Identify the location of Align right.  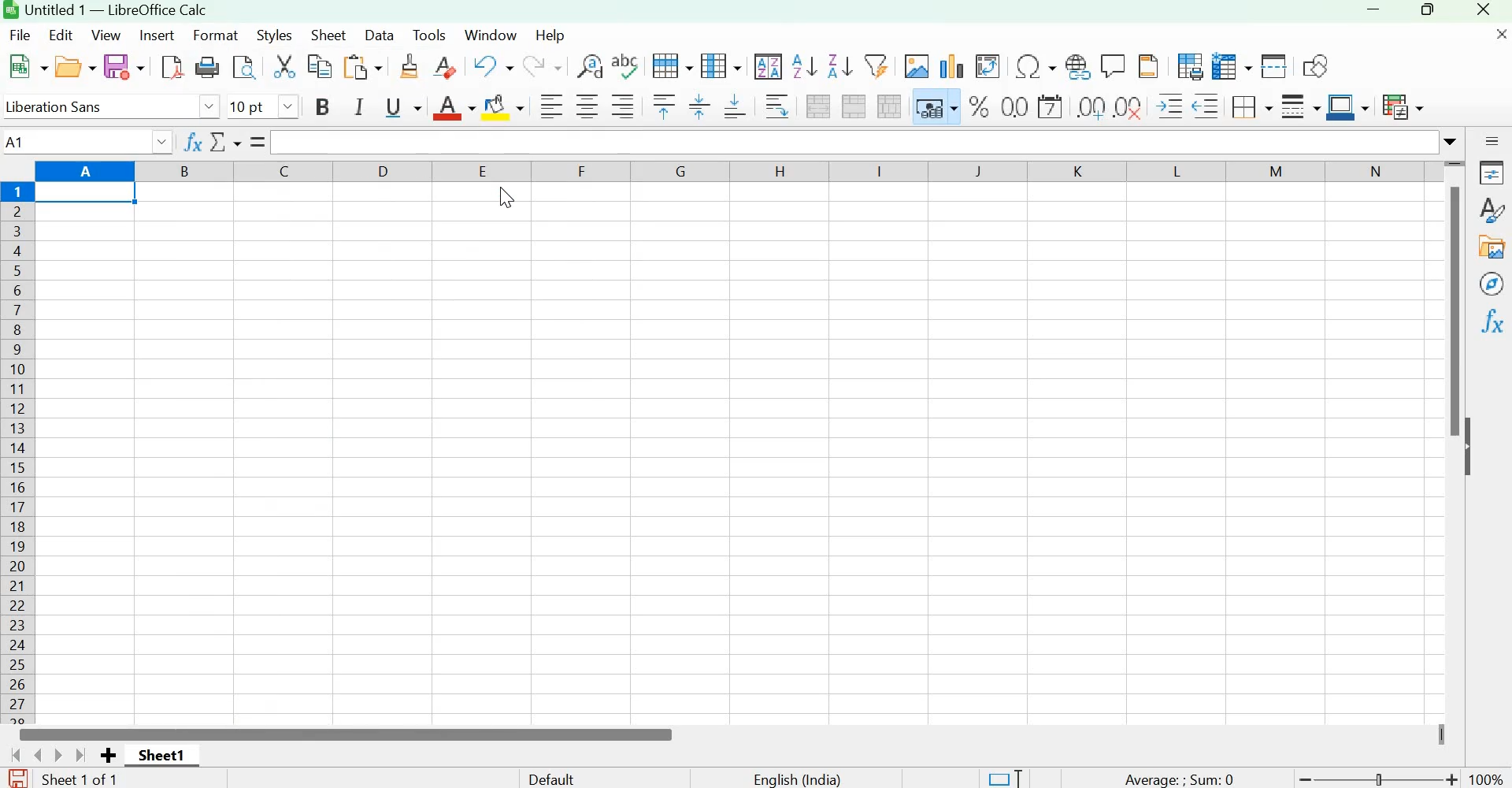
(624, 105).